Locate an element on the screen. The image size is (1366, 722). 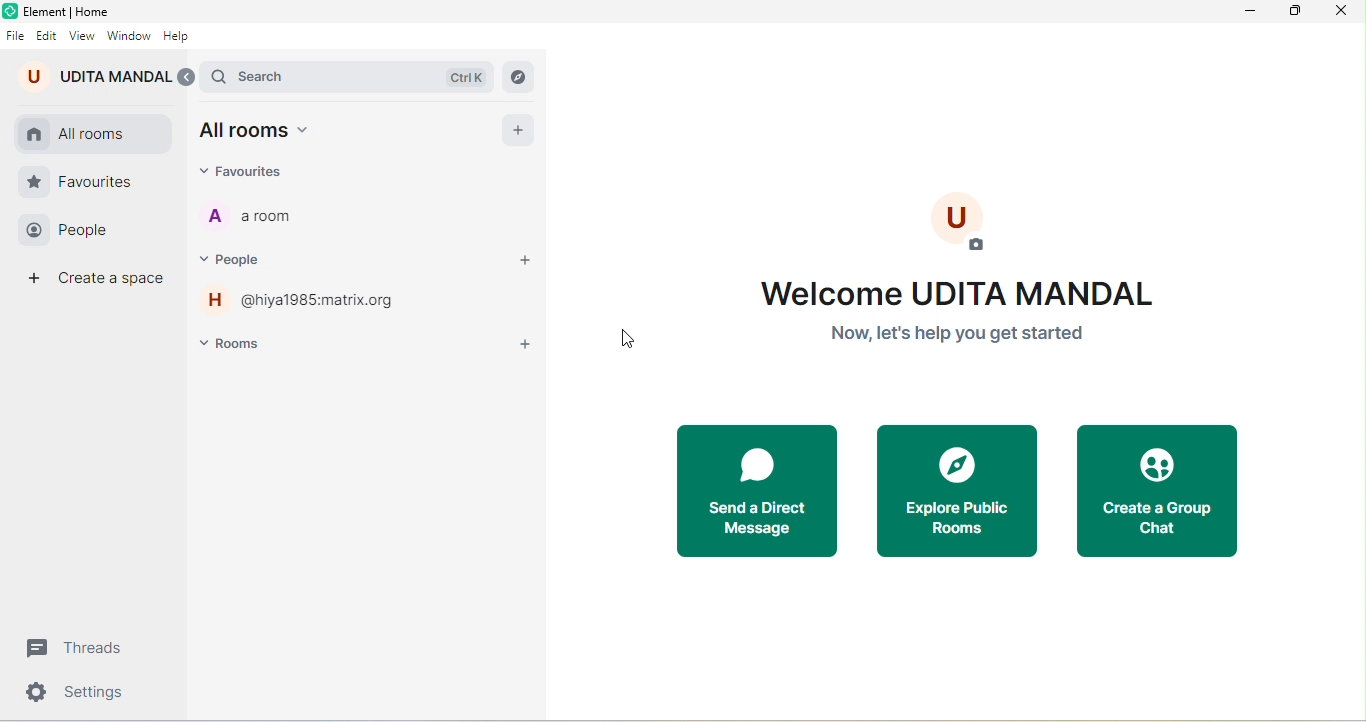
help is located at coordinates (178, 37).